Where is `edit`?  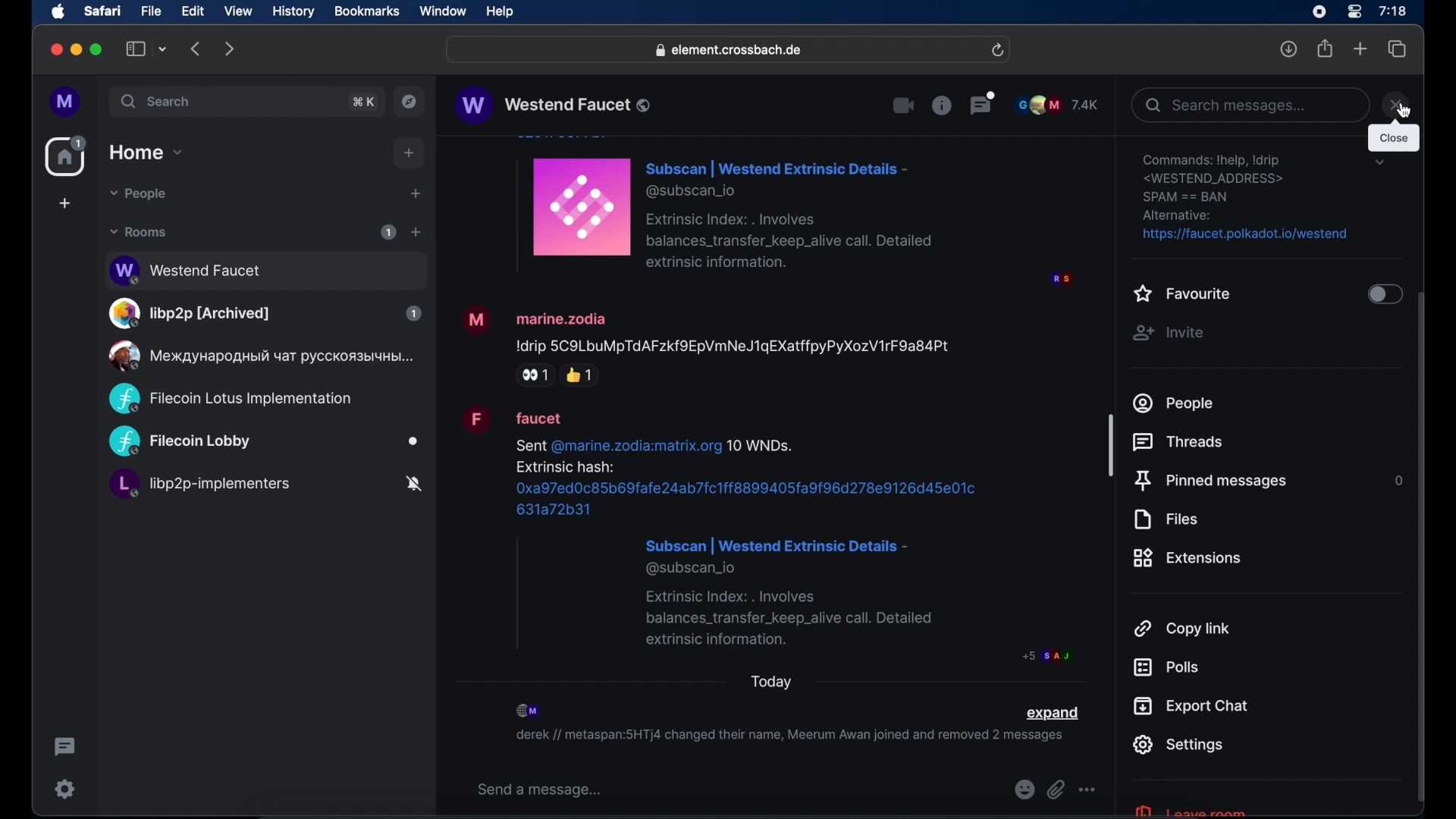
edit is located at coordinates (193, 11).